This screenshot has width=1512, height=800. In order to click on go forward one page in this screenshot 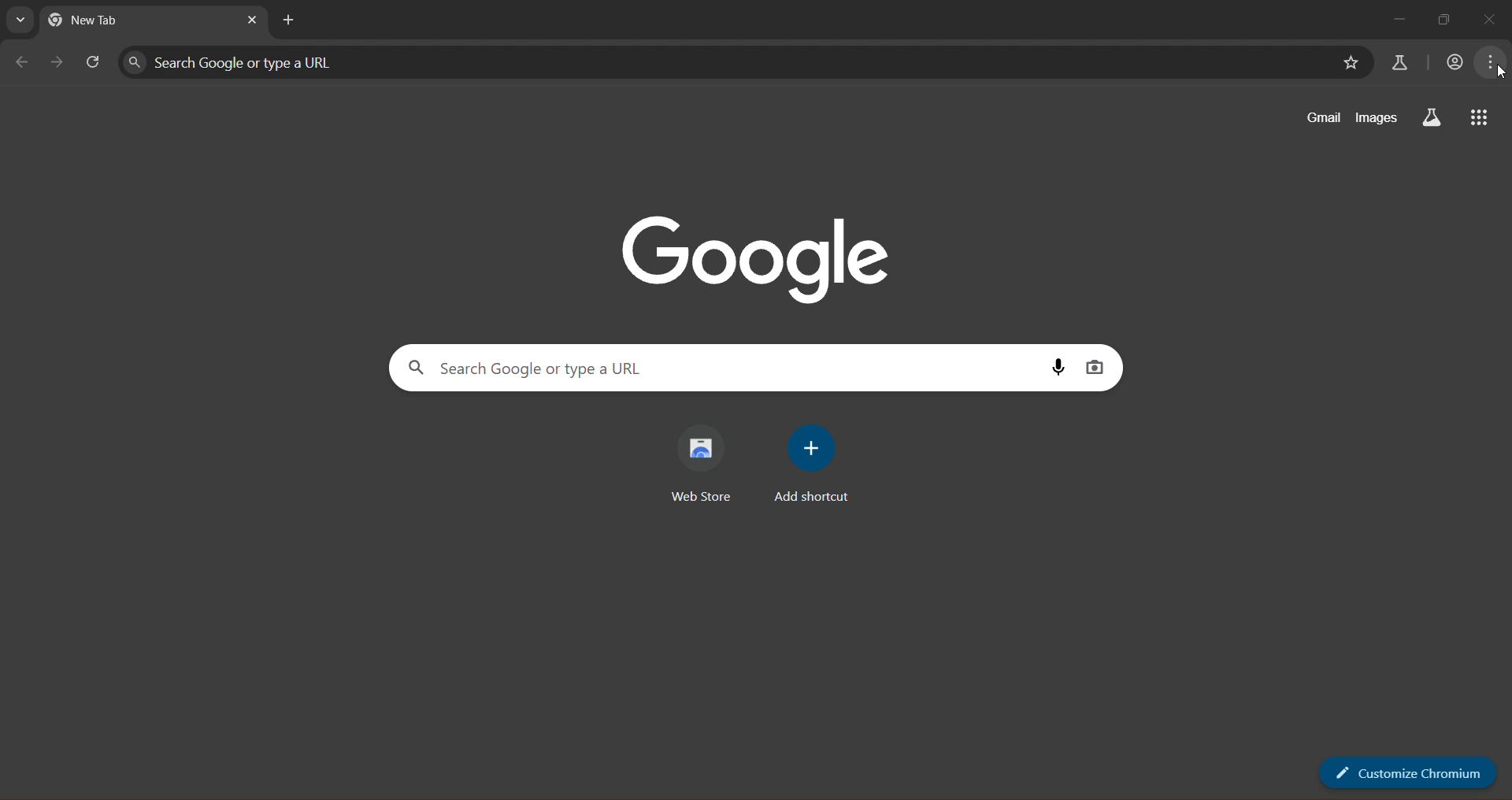, I will do `click(60, 64)`.